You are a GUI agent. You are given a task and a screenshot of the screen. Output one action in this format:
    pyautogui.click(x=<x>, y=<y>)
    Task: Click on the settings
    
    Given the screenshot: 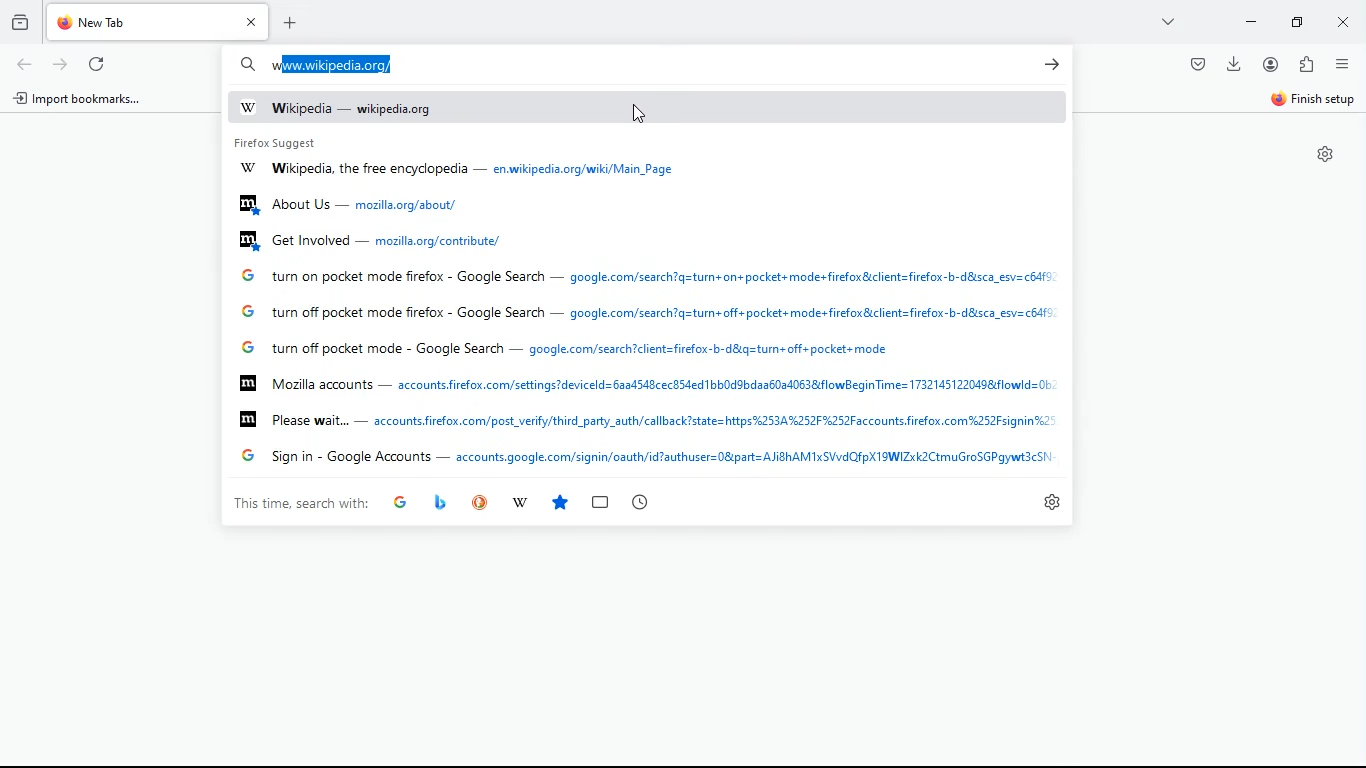 What is the action you would take?
    pyautogui.click(x=1054, y=502)
    